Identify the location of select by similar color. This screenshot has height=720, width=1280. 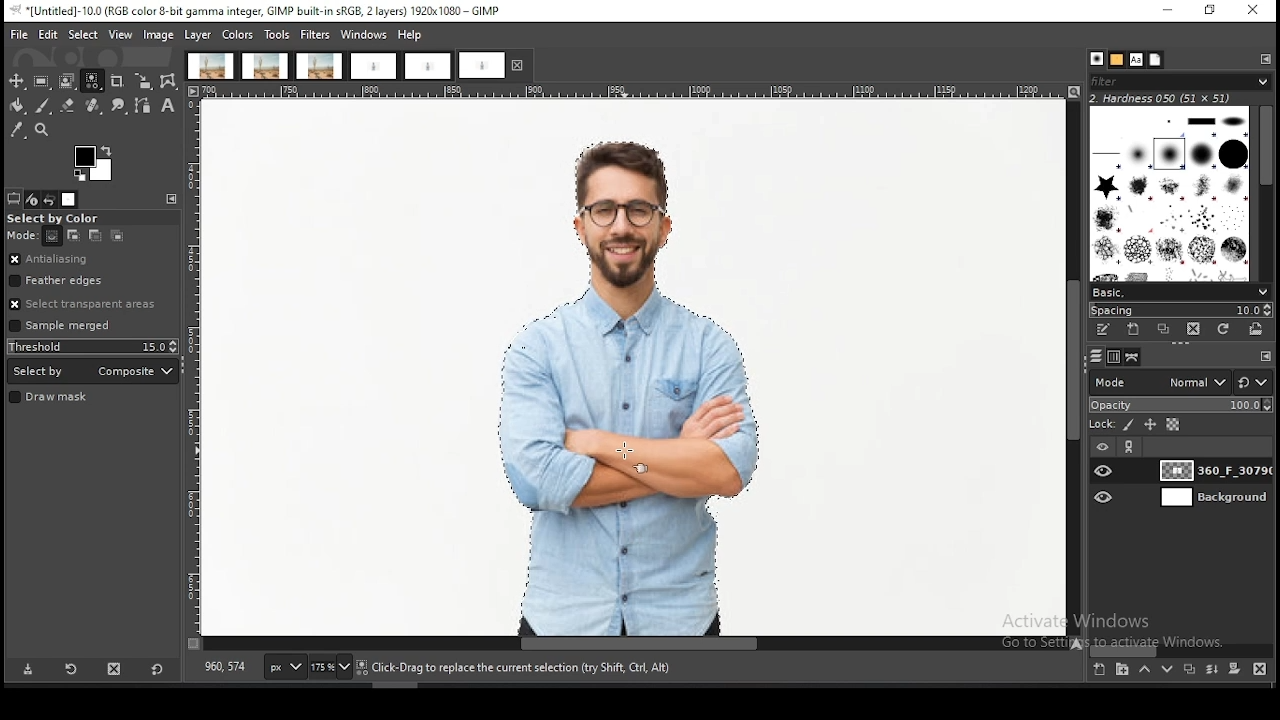
(92, 81).